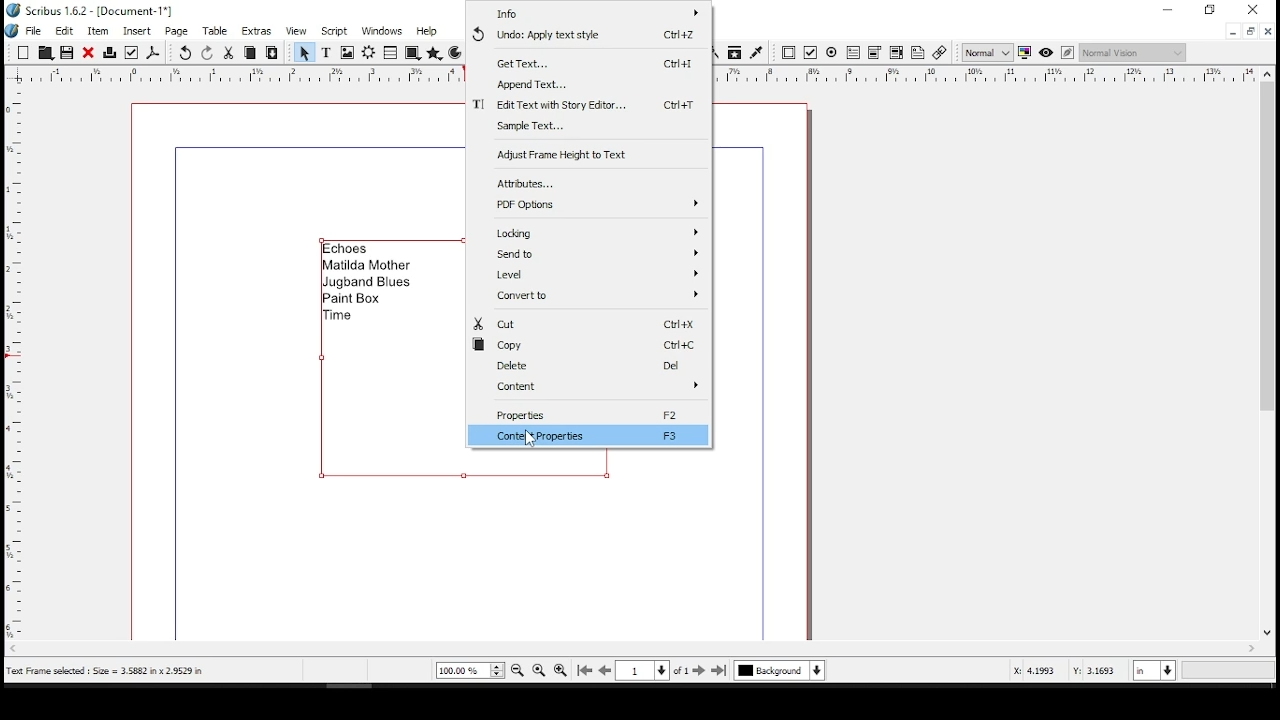 Image resolution: width=1280 pixels, height=720 pixels. I want to click on scroll bar, so click(627, 649).